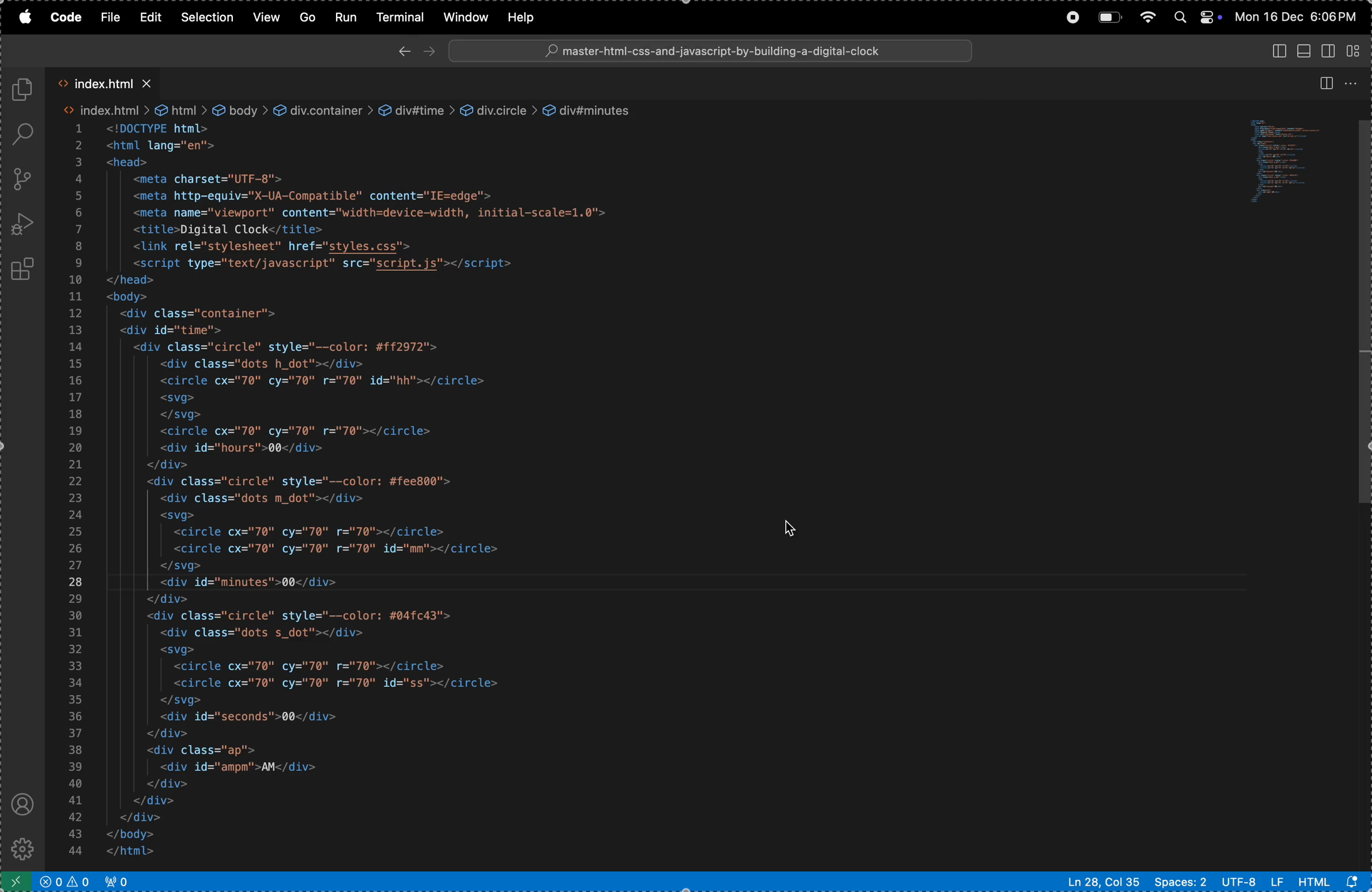 This screenshot has height=892, width=1372. What do you see at coordinates (1275, 52) in the screenshot?
I see `toggle panel` at bounding box center [1275, 52].